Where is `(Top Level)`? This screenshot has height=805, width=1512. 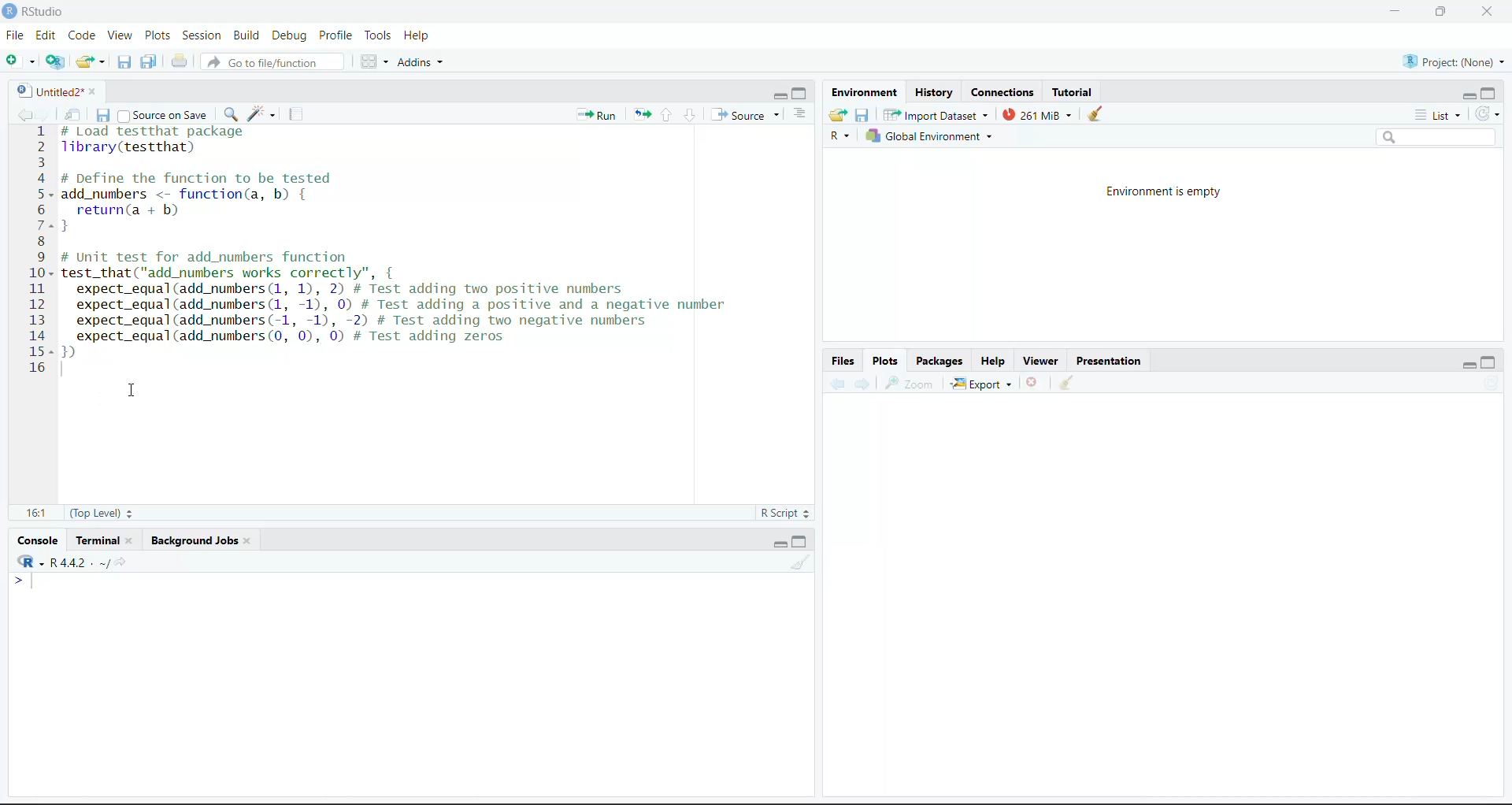
(Top Level) is located at coordinates (90, 514).